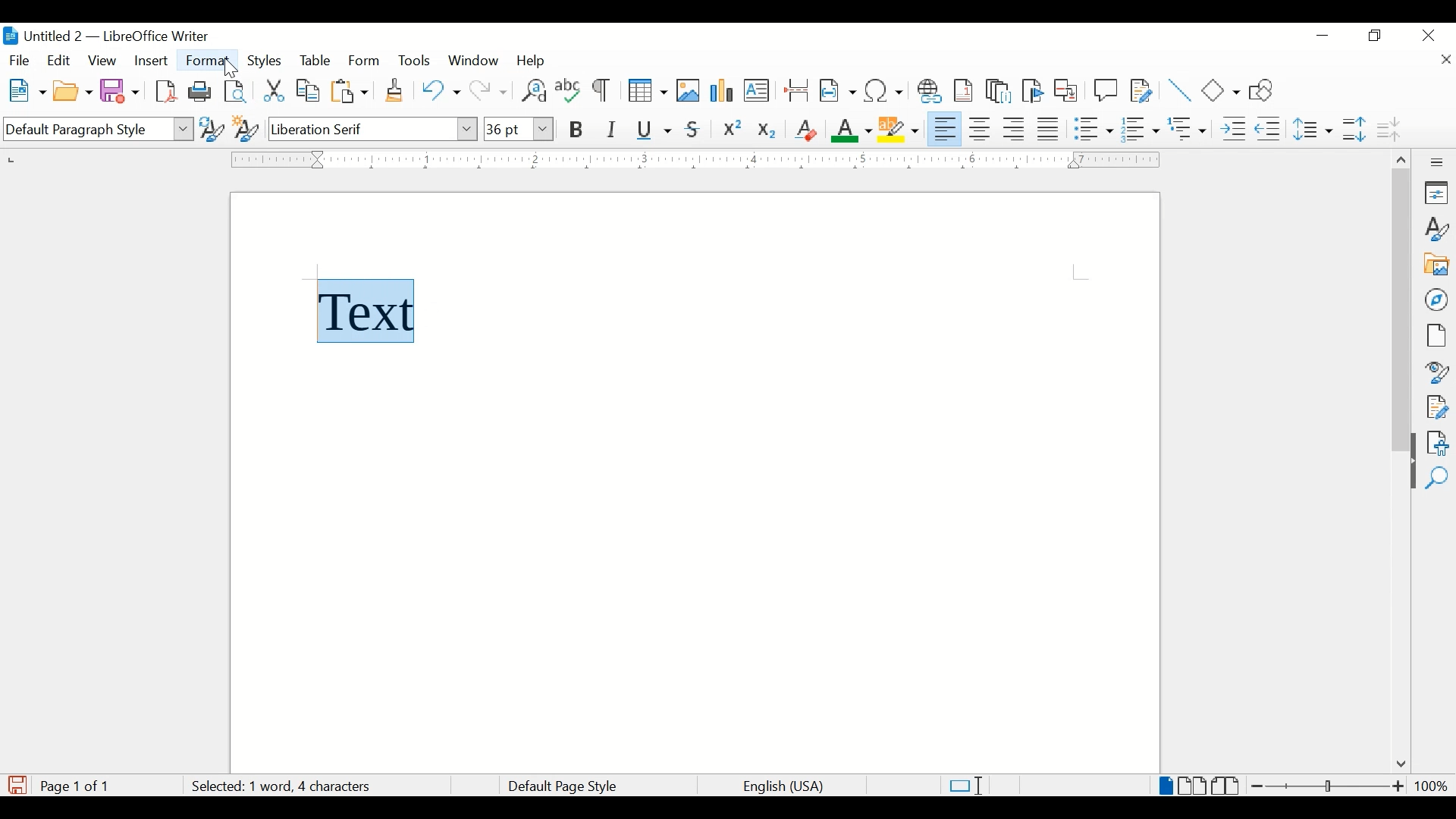  I want to click on paste , so click(350, 91).